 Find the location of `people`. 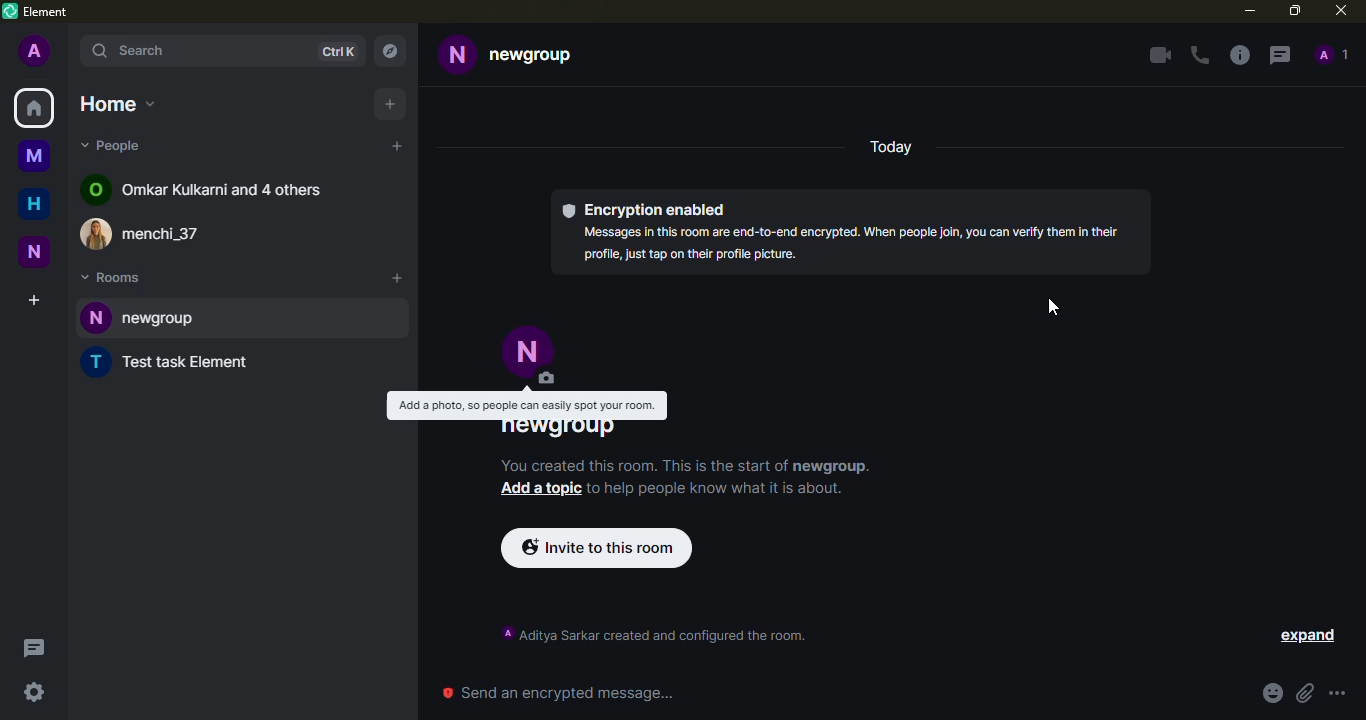

people is located at coordinates (114, 145).